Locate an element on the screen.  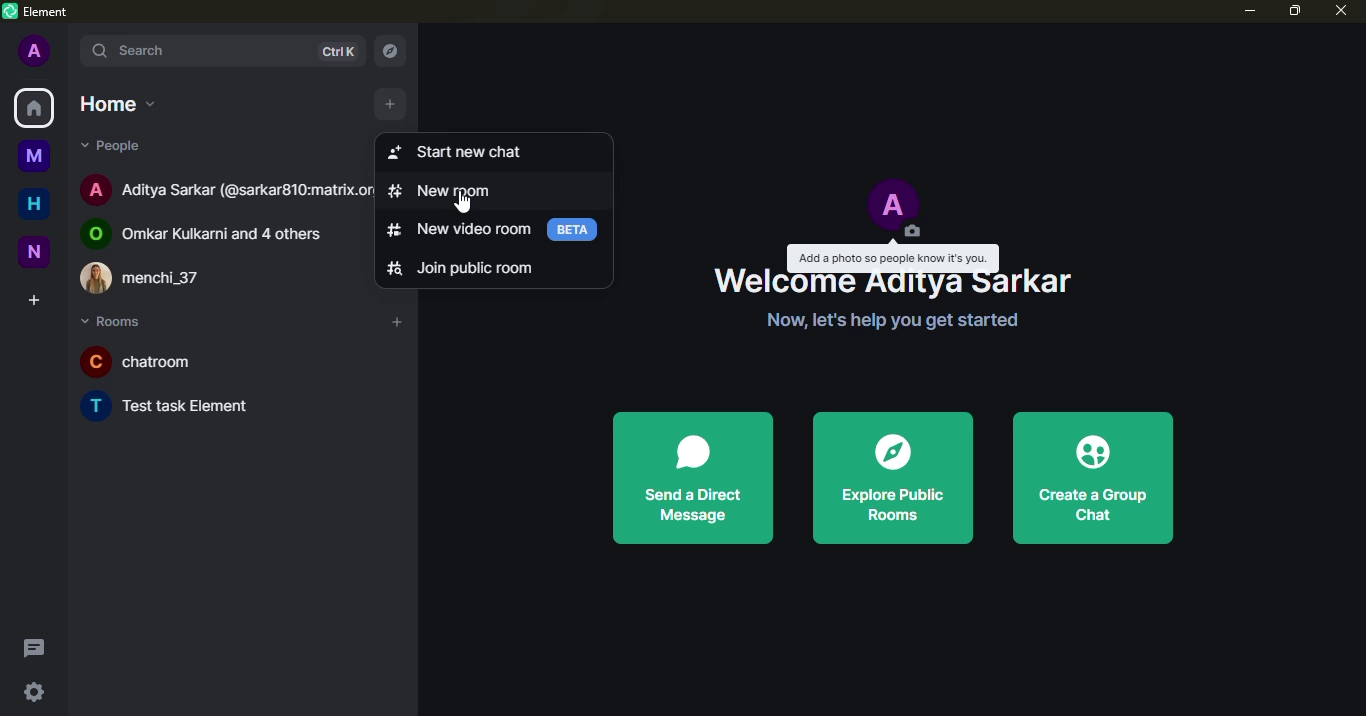
new is located at coordinates (35, 251).